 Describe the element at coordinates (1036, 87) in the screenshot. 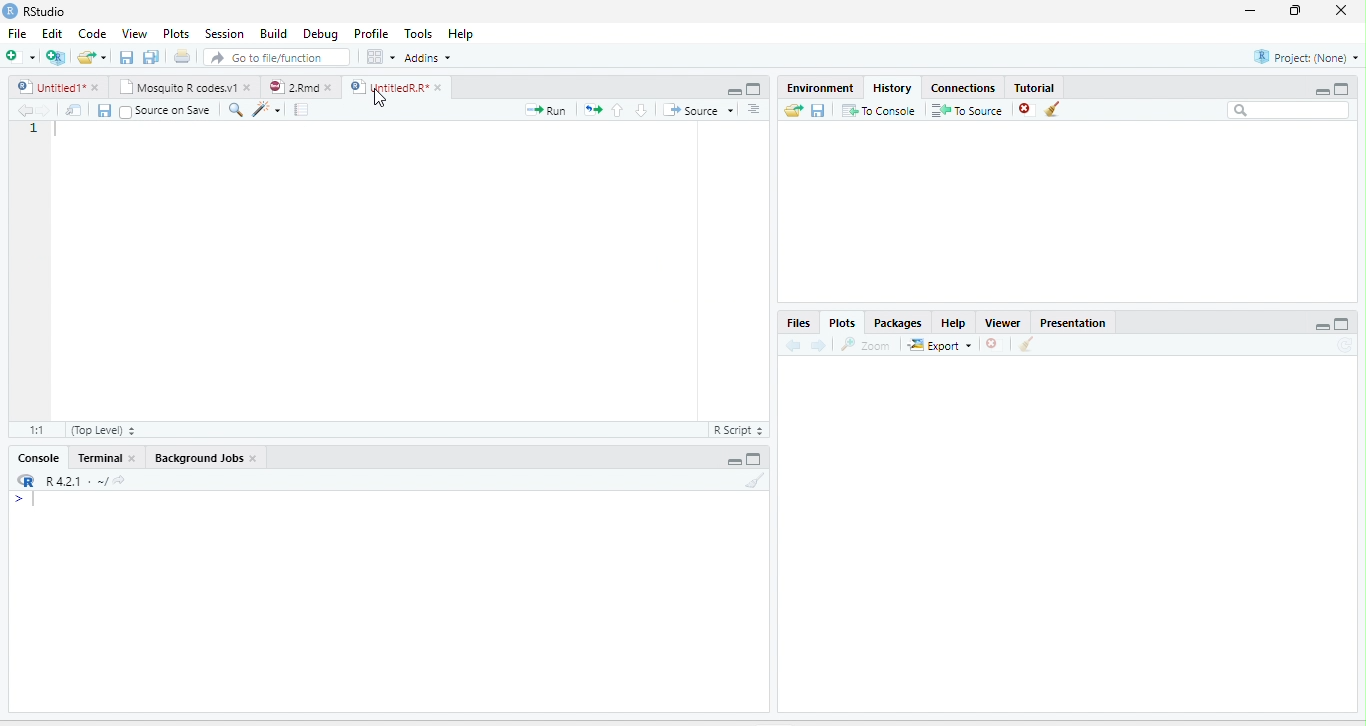

I see `Tutorial` at that location.